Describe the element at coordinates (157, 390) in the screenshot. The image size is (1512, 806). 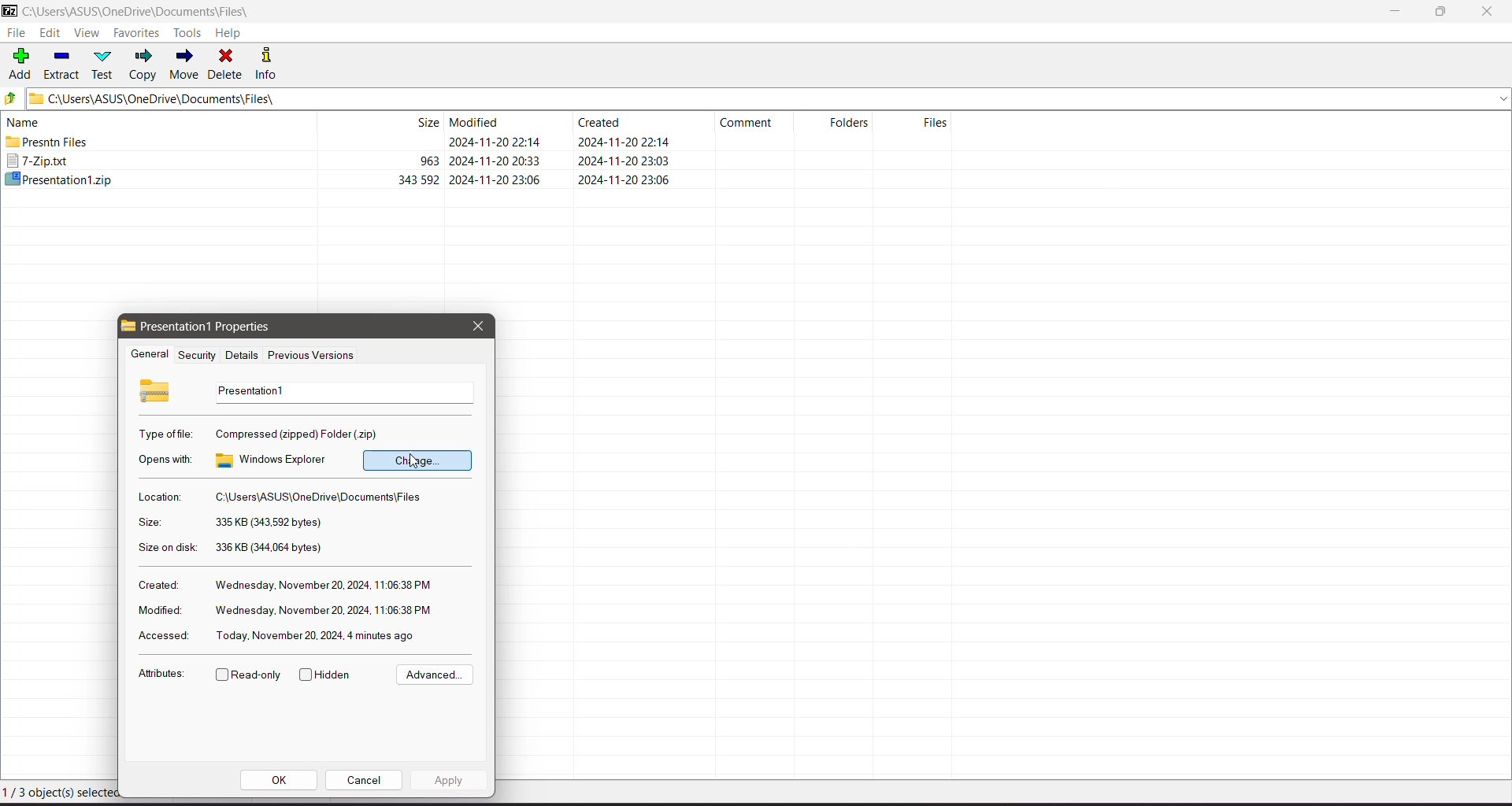
I see `Selected File Icon` at that location.